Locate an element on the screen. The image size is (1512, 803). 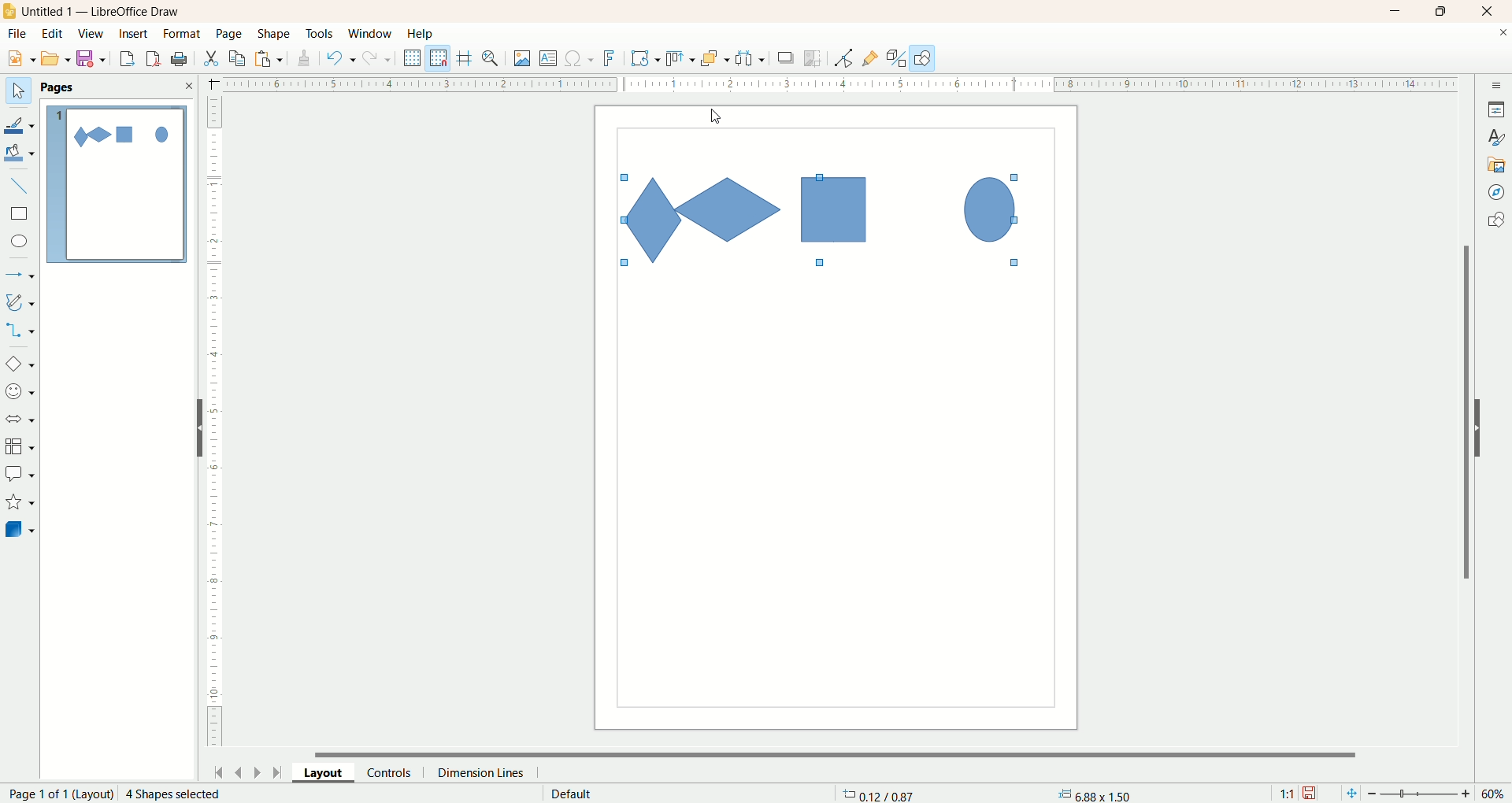
dimension lines is located at coordinates (485, 772).